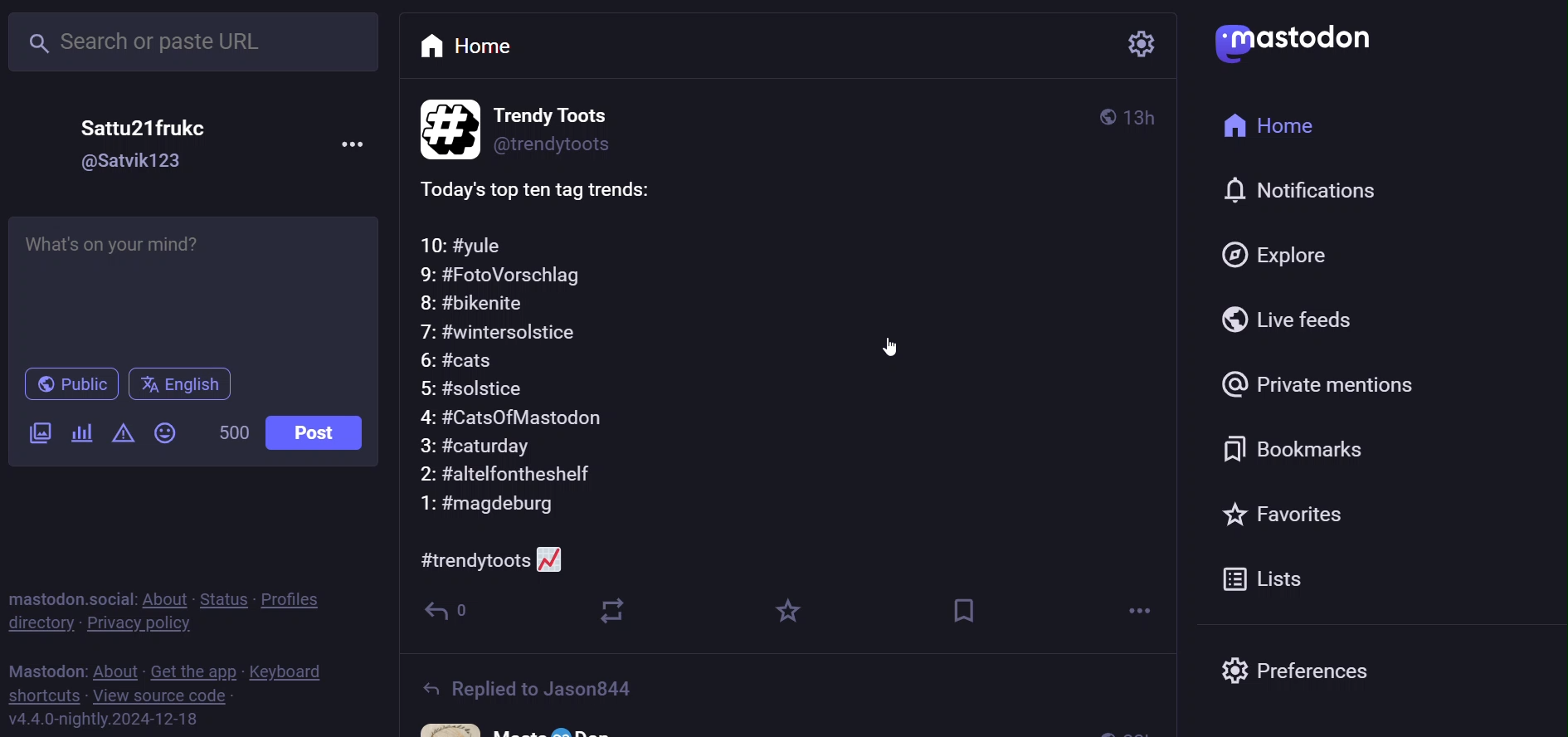  I want to click on image/video, so click(40, 431).